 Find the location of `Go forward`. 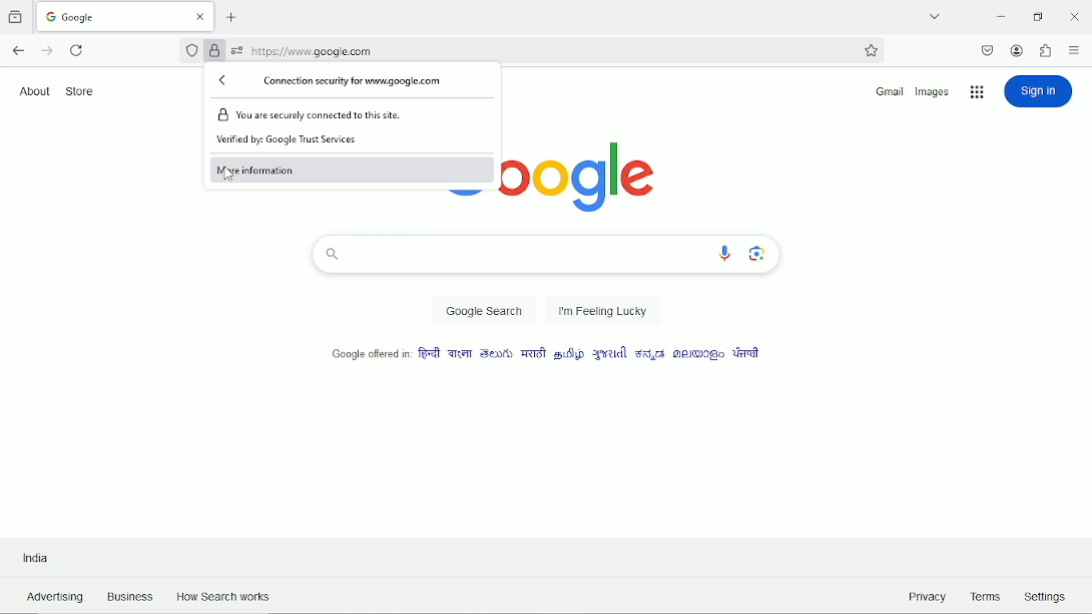

Go forward is located at coordinates (47, 51).